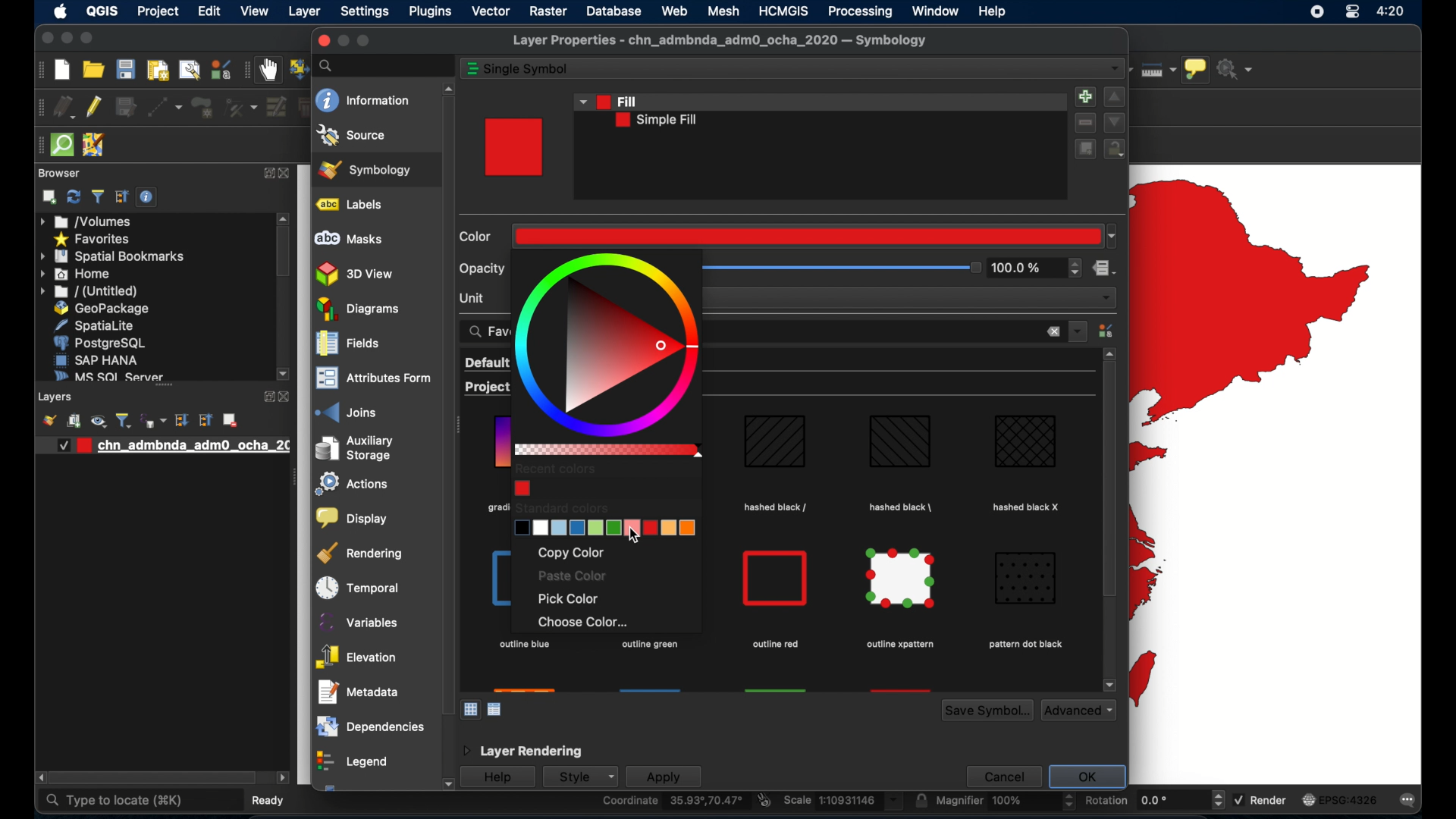 Image resolution: width=1456 pixels, height=819 pixels. What do you see at coordinates (571, 599) in the screenshot?
I see `pick color` at bounding box center [571, 599].